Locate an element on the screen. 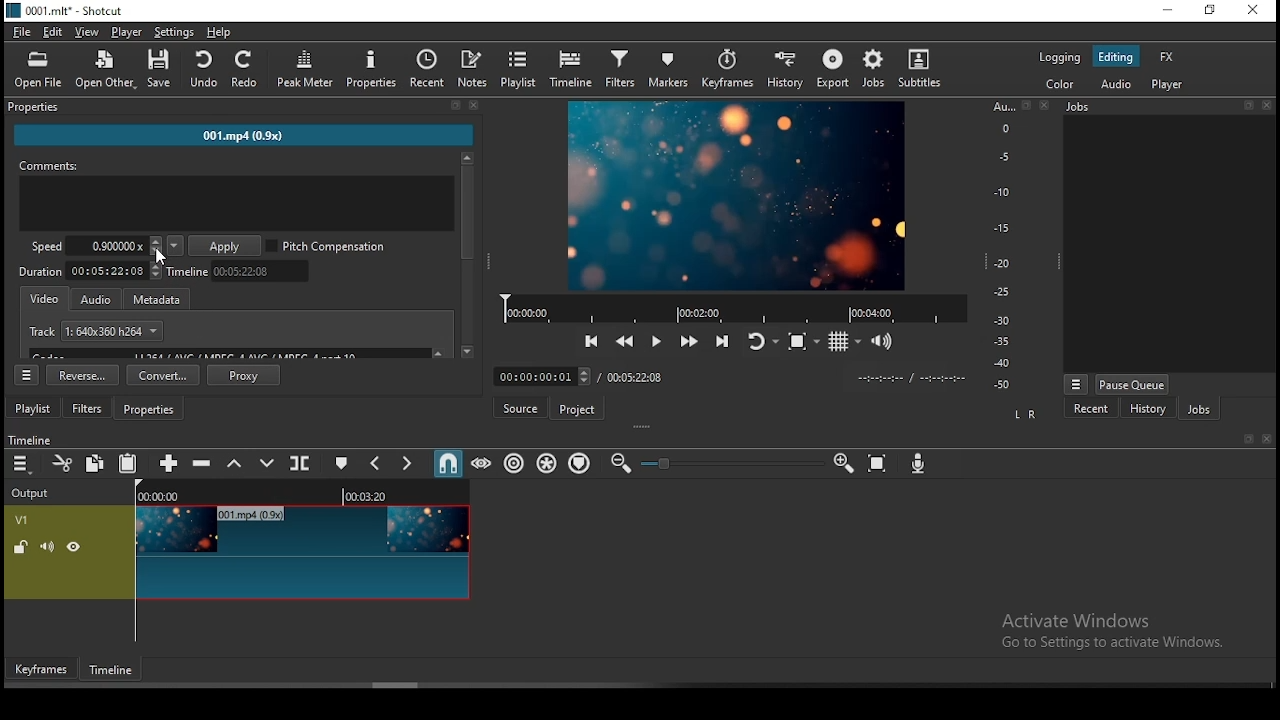 The width and height of the screenshot is (1280, 720). mouse pointer is located at coordinates (158, 255).